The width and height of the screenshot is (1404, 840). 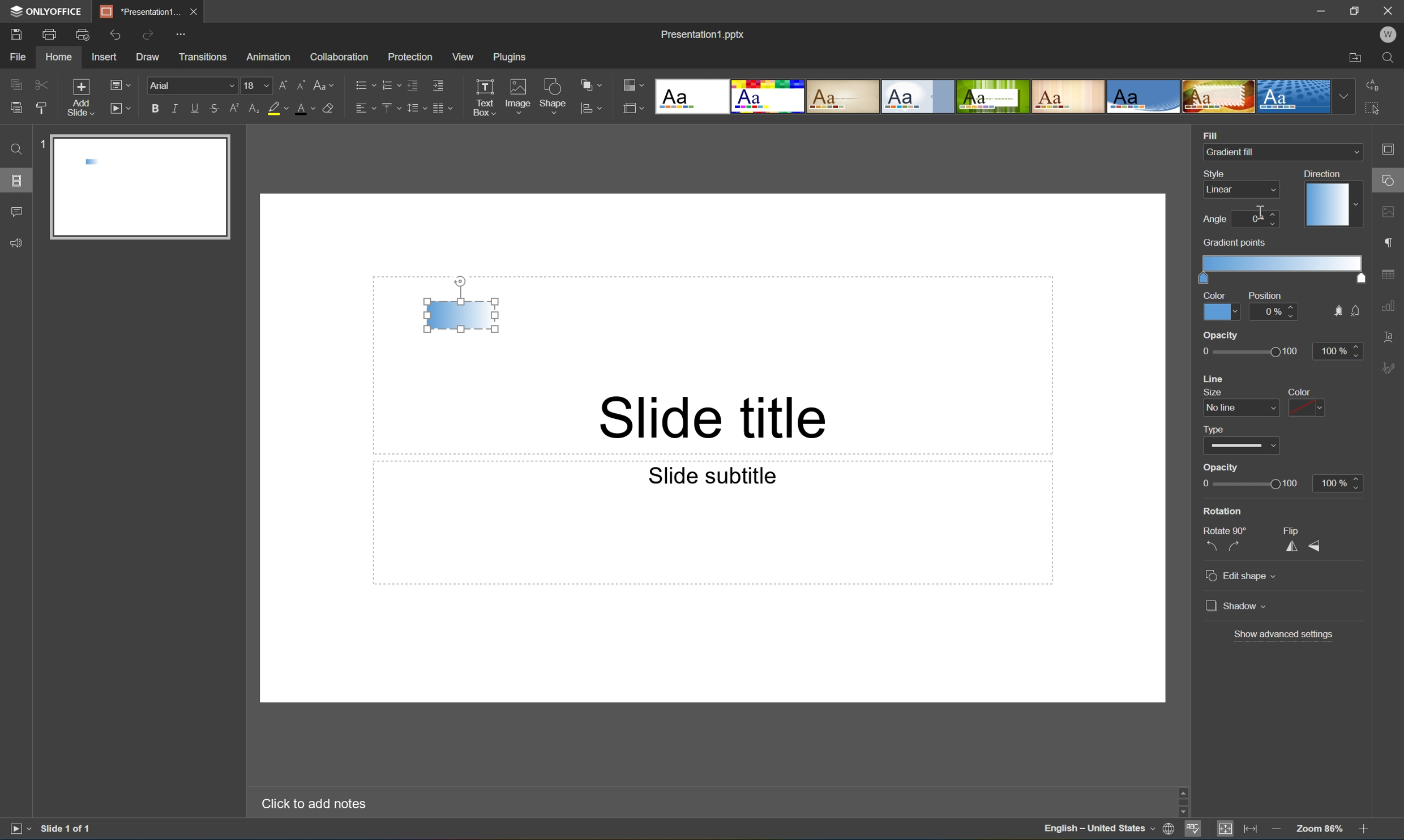 What do you see at coordinates (1388, 306) in the screenshot?
I see `chart settings` at bounding box center [1388, 306].